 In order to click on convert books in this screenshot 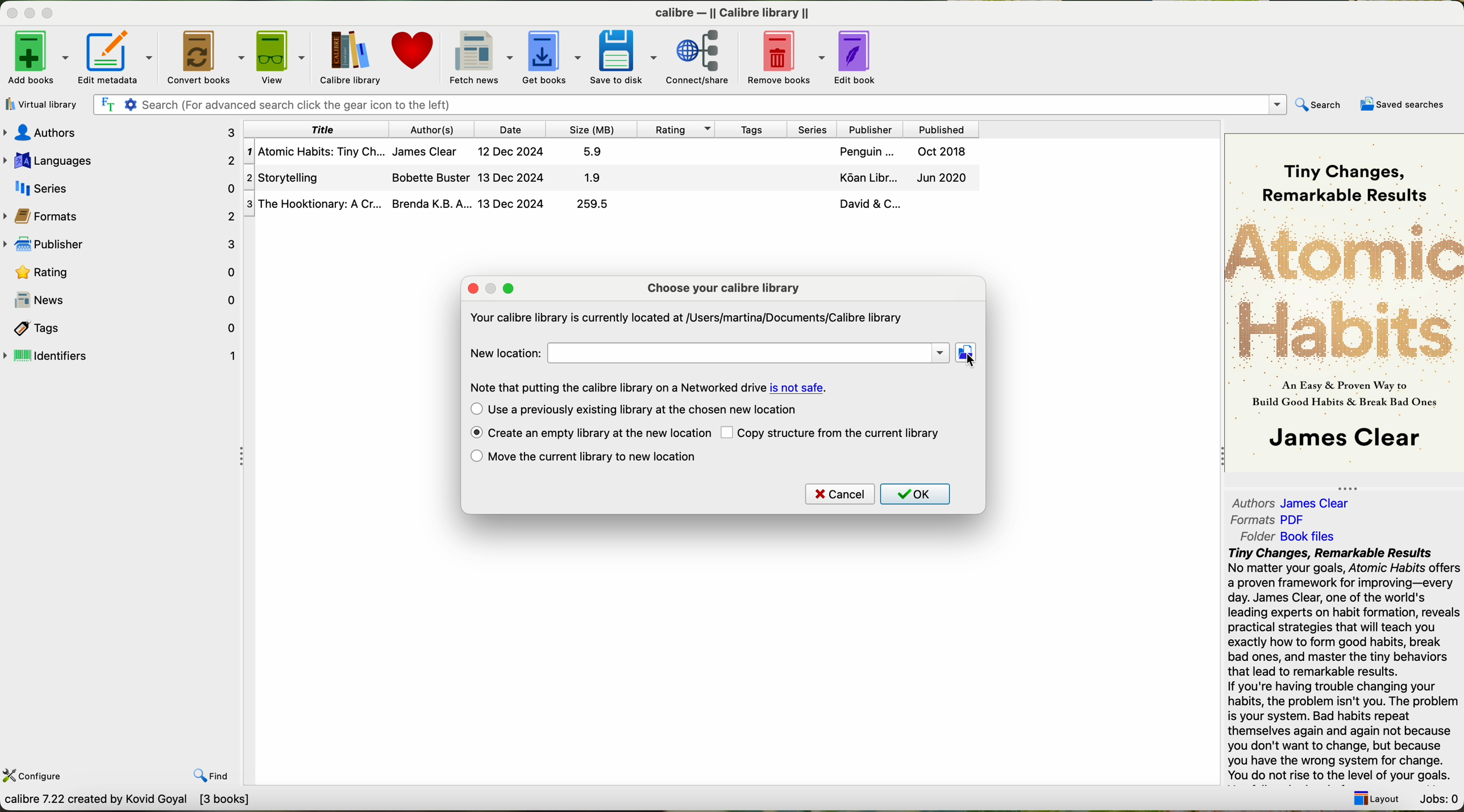, I will do `click(207, 57)`.